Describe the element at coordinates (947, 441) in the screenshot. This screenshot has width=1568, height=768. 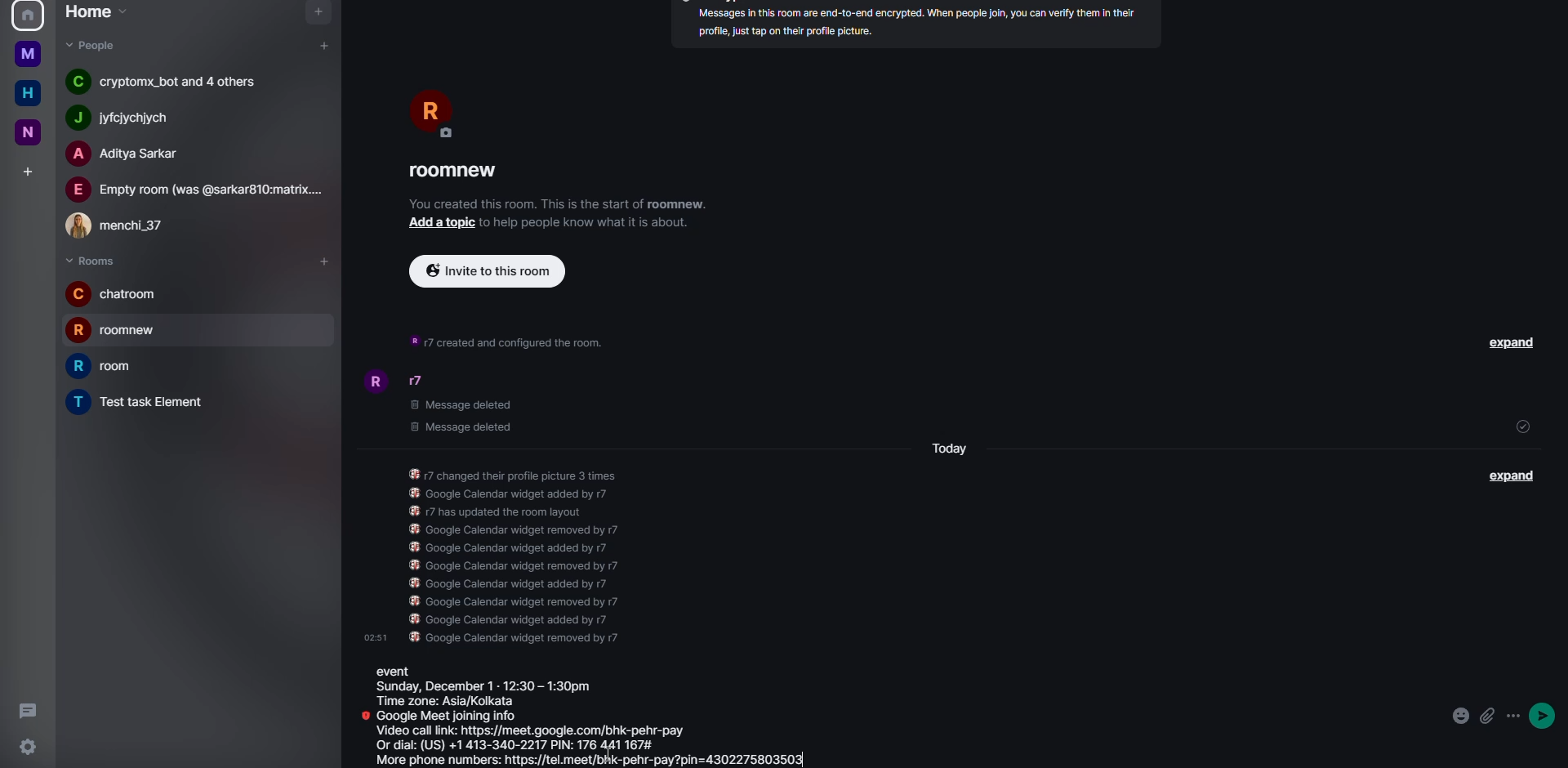
I see `day` at that location.